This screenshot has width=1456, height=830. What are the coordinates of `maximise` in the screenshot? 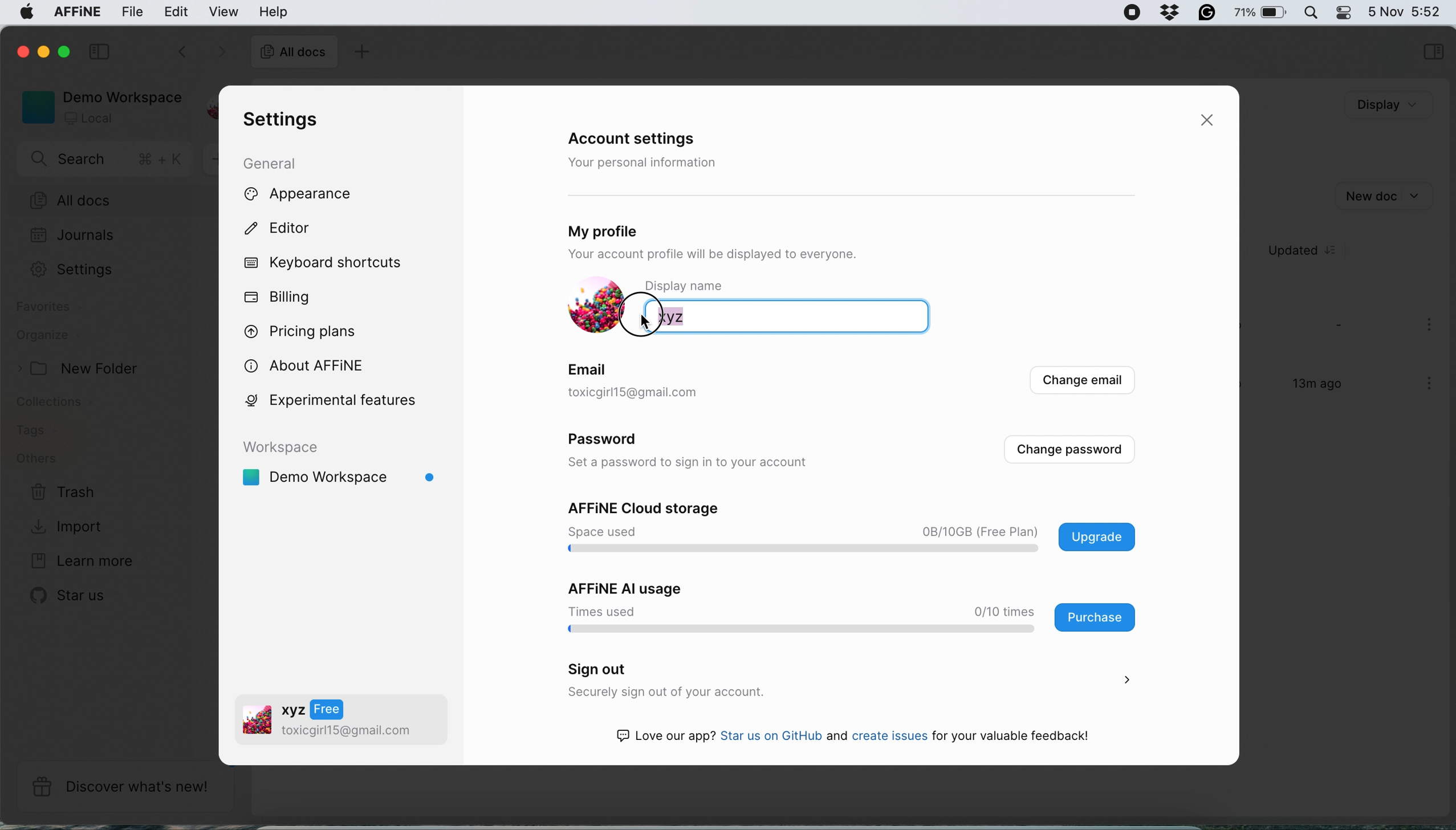 It's located at (68, 51).